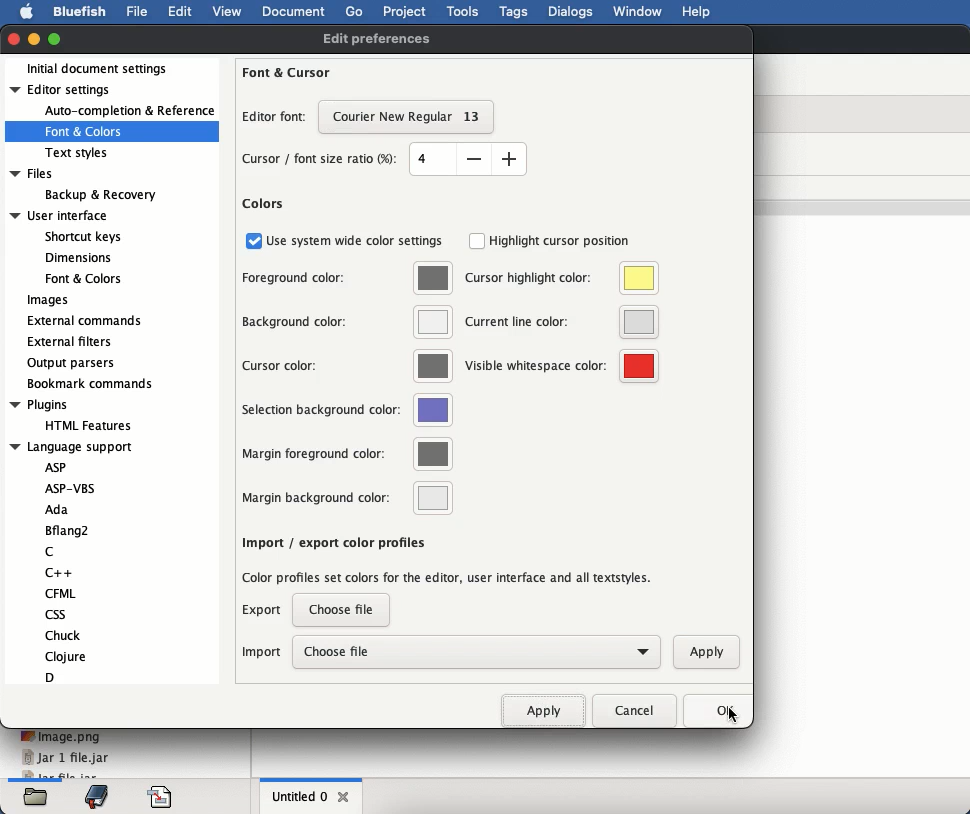 This screenshot has height=814, width=970. Describe the element at coordinates (701, 650) in the screenshot. I see `apply` at that location.